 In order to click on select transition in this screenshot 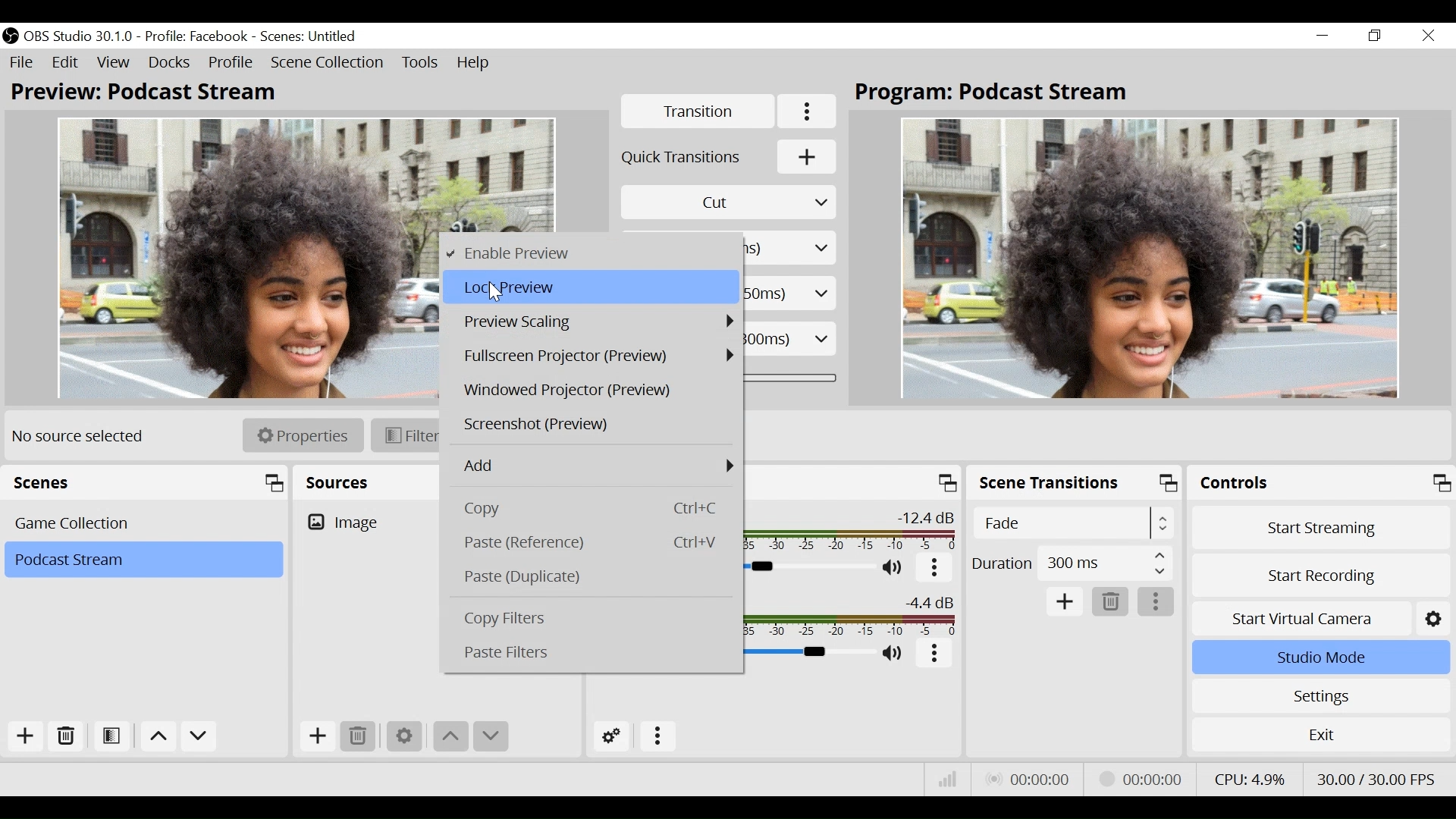, I will do `click(729, 202)`.